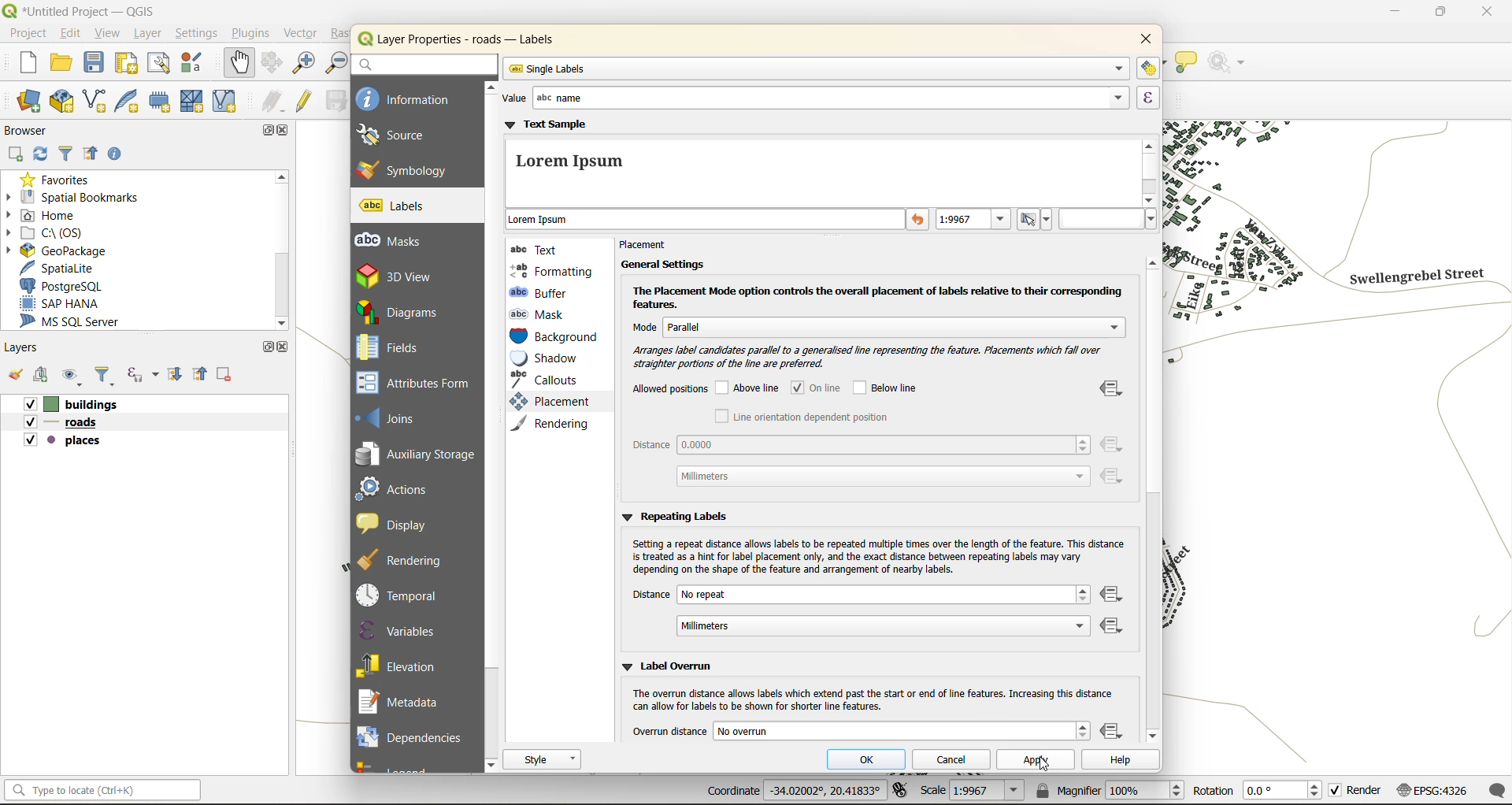 The image size is (1512, 805). Describe the element at coordinates (74, 376) in the screenshot. I see `manage map` at that location.